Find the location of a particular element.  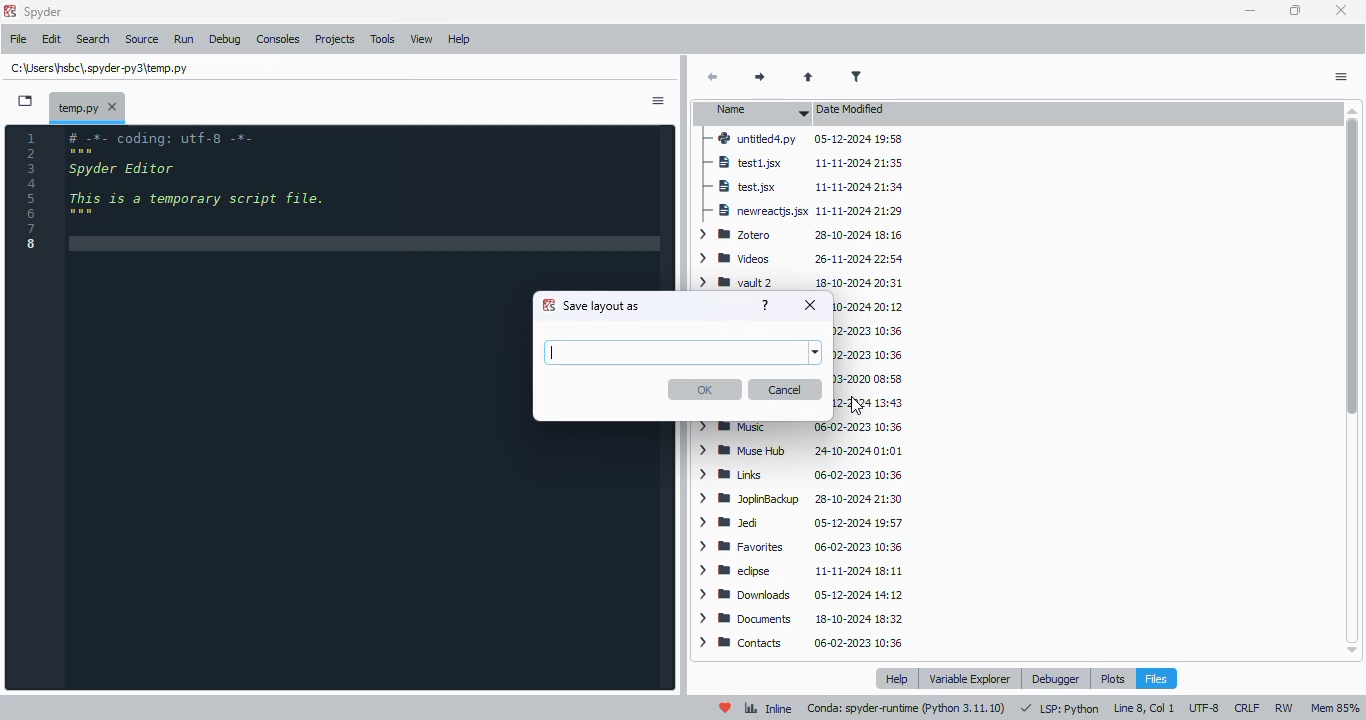

downloads is located at coordinates (802, 594).